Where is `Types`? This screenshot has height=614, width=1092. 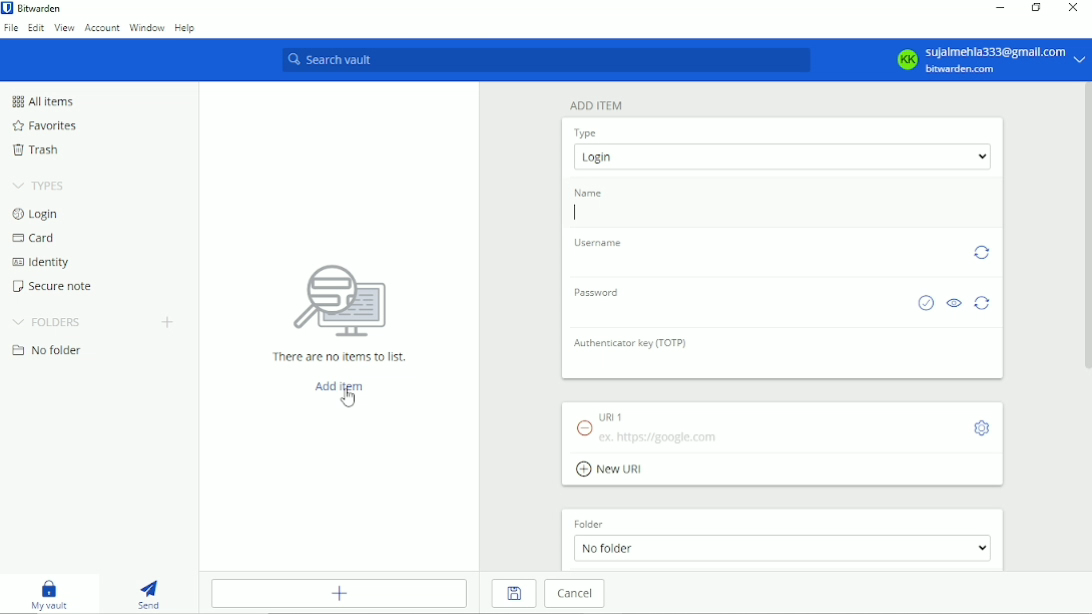
Types is located at coordinates (38, 186).